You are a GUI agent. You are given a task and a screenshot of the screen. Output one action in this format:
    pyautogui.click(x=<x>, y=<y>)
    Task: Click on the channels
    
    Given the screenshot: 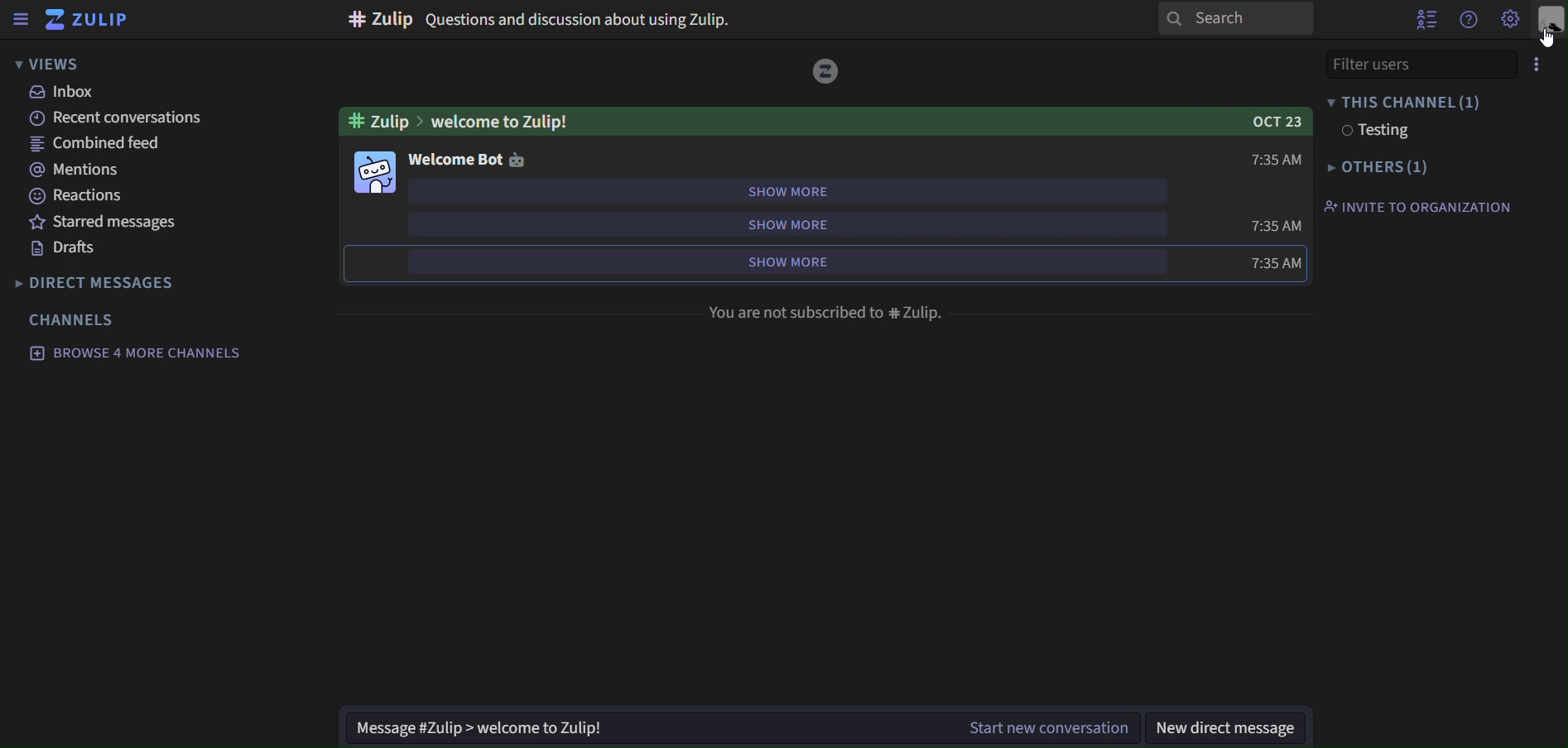 What is the action you would take?
    pyautogui.click(x=73, y=319)
    